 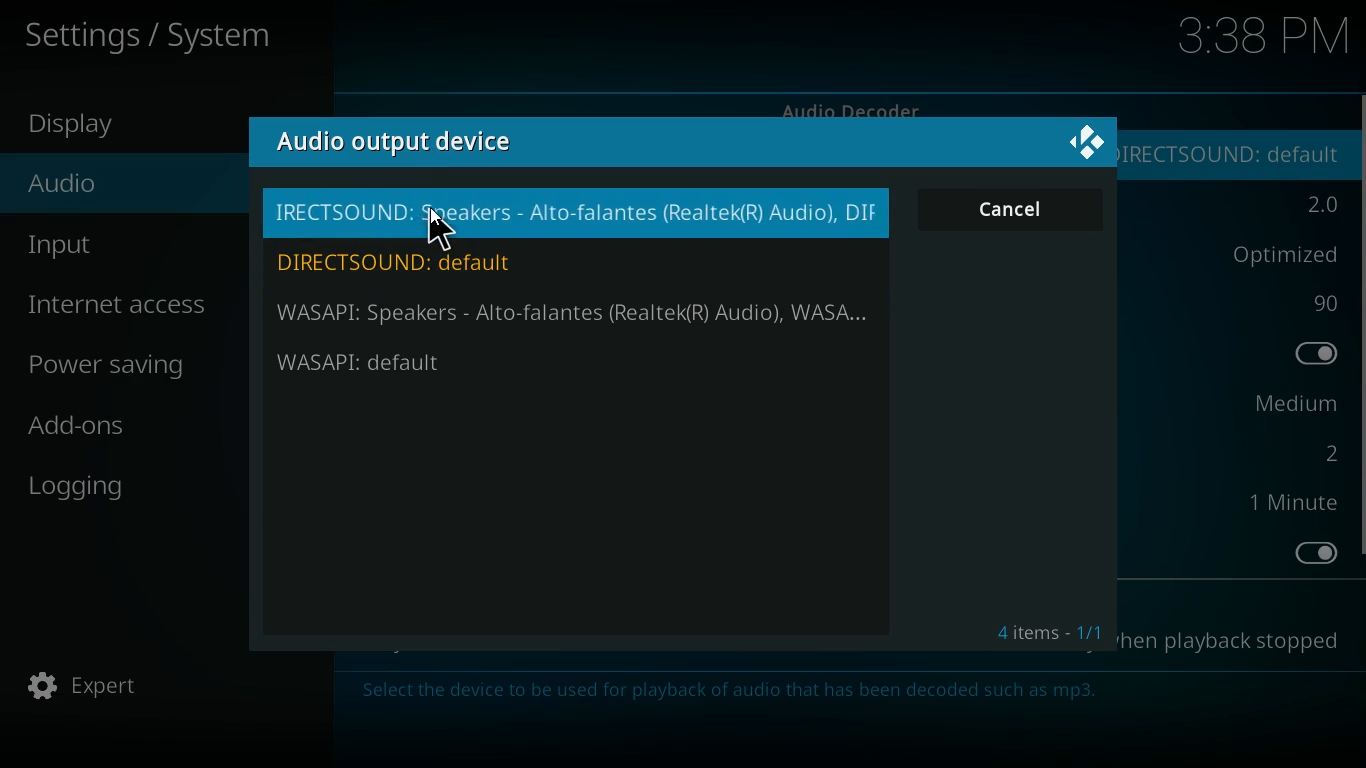 I want to click on input, so click(x=141, y=245).